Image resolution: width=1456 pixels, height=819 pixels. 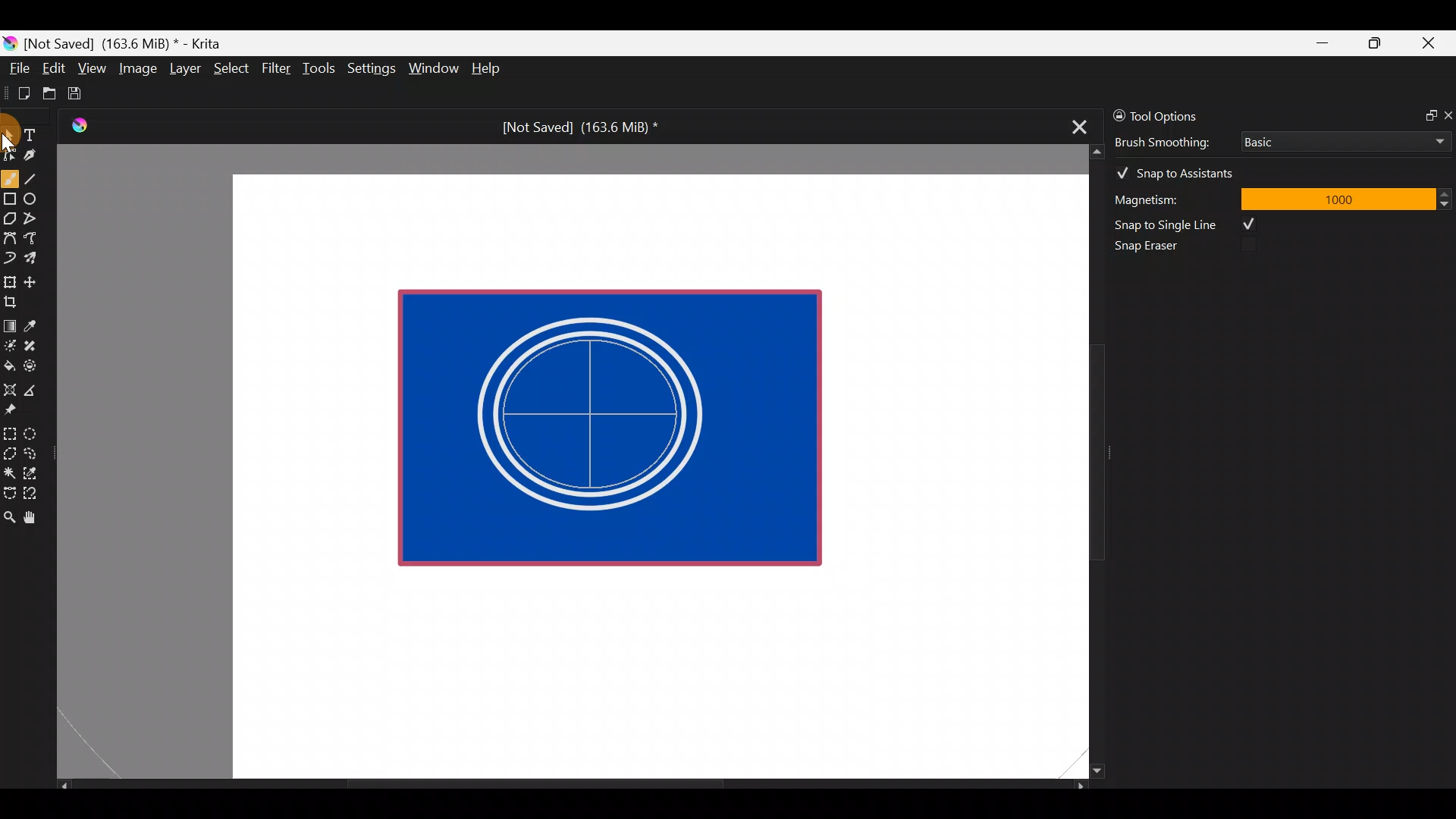 What do you see at coordinates (1116, 113) in the screenshot?
I see `Lock/unlock docker` at bounding box center [1116, 113].